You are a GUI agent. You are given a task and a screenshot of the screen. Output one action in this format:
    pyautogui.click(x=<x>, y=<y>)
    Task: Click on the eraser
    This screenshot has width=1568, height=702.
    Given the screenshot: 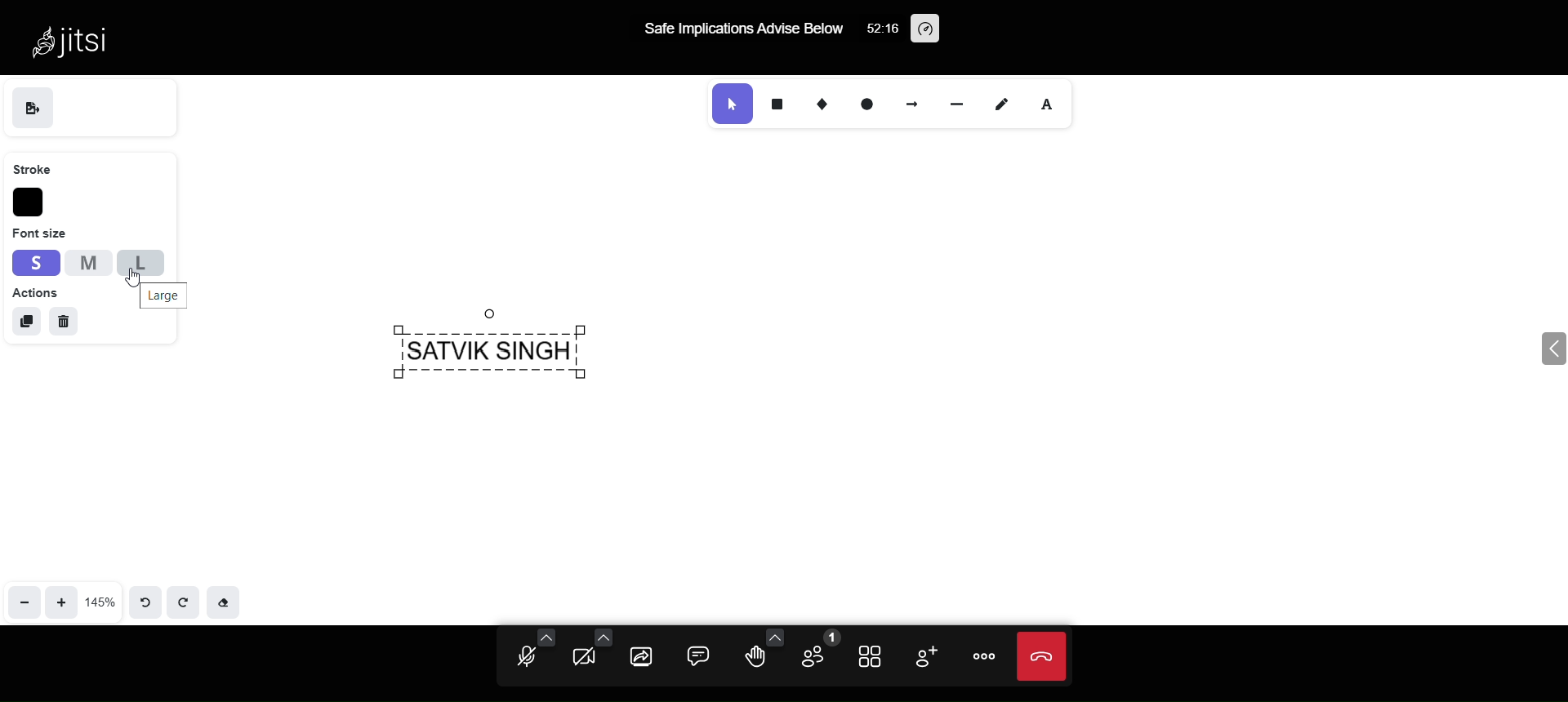 What is the action you would take?
    pyautogui.click(x=229, y=602)
    